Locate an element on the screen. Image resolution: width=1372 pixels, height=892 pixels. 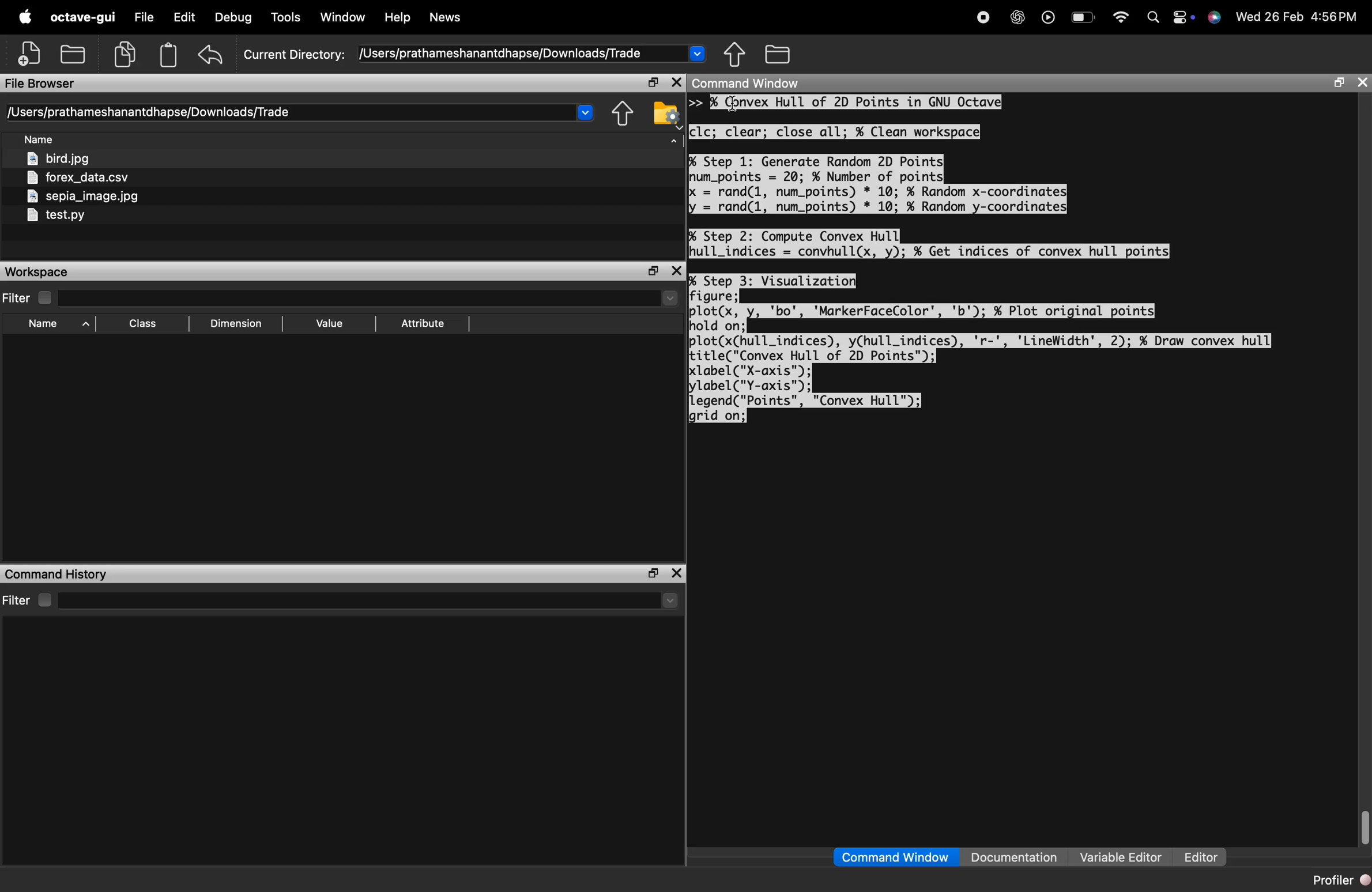
Drop-down  is located at coordinates (698, 52).